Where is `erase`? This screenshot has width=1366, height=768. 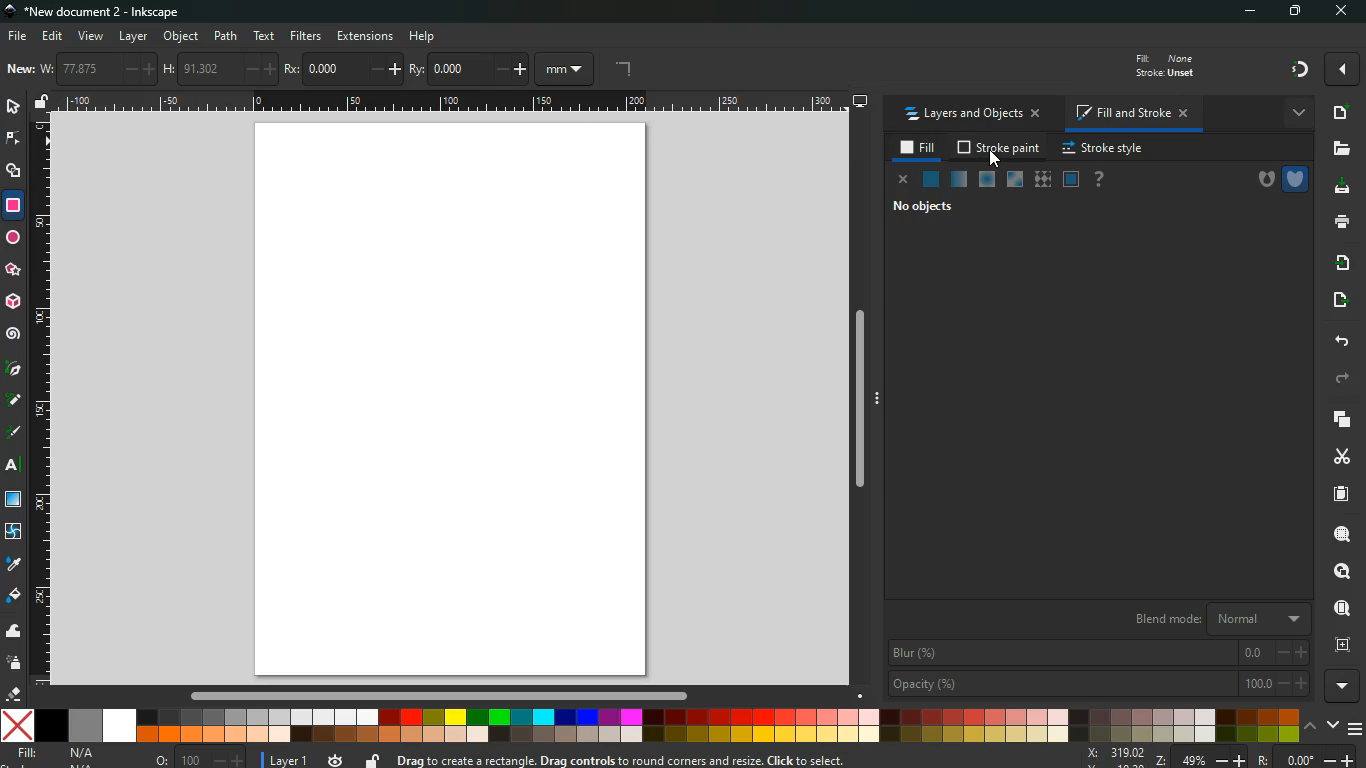
erase is located at coordinates (14, 693).